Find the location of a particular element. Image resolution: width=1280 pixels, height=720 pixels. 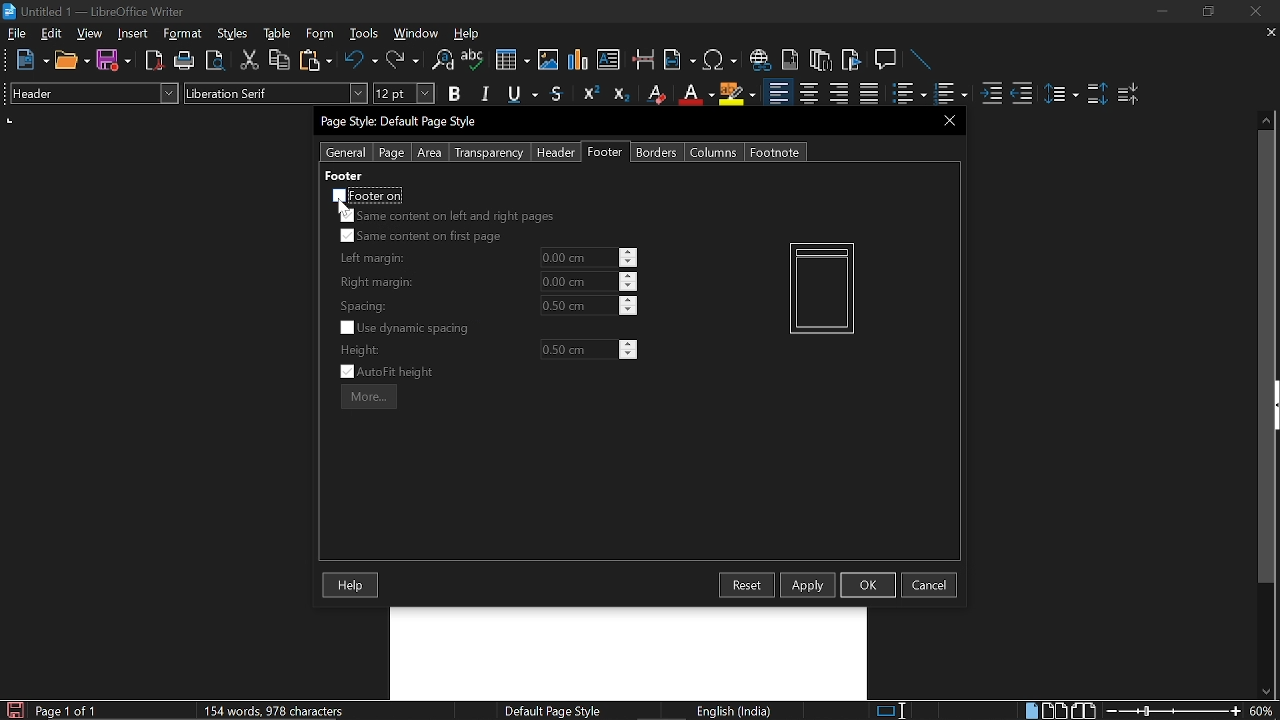

Help is located at coordinates (352, 586).